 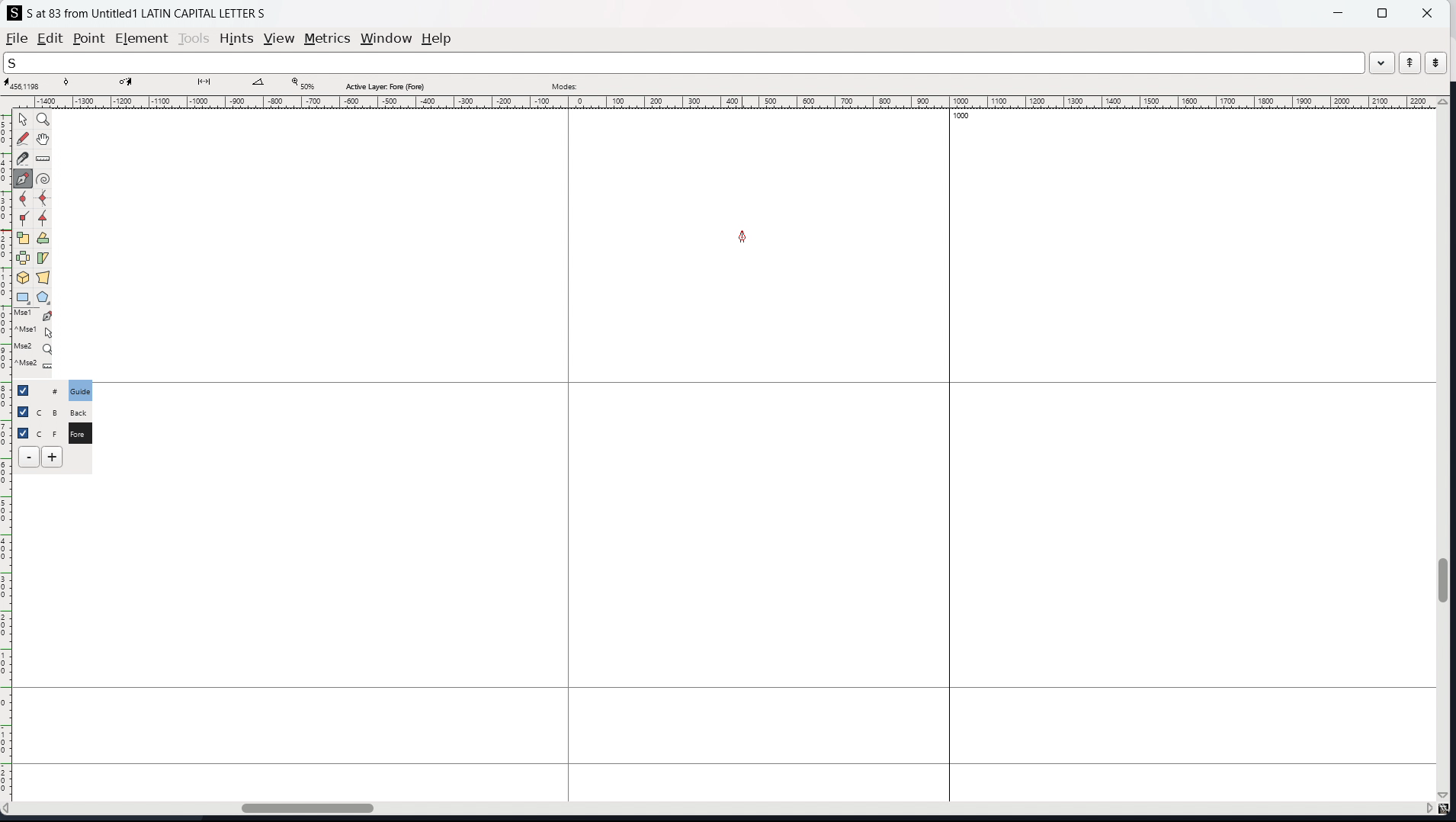 I want to click on pointer, so click(x=24, y=119).